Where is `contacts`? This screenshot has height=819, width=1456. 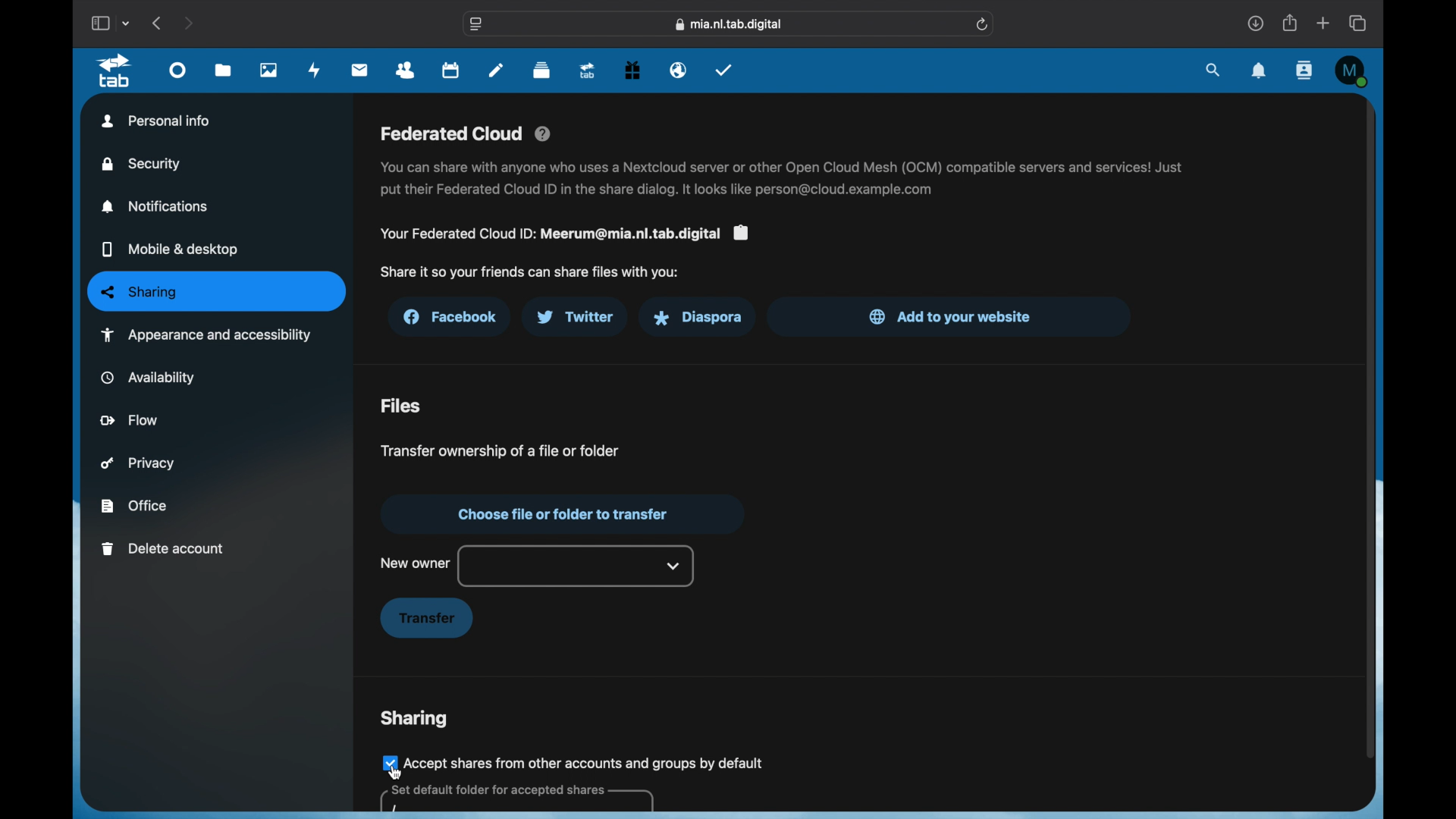
contacts is located at coordinates (1303, 70).